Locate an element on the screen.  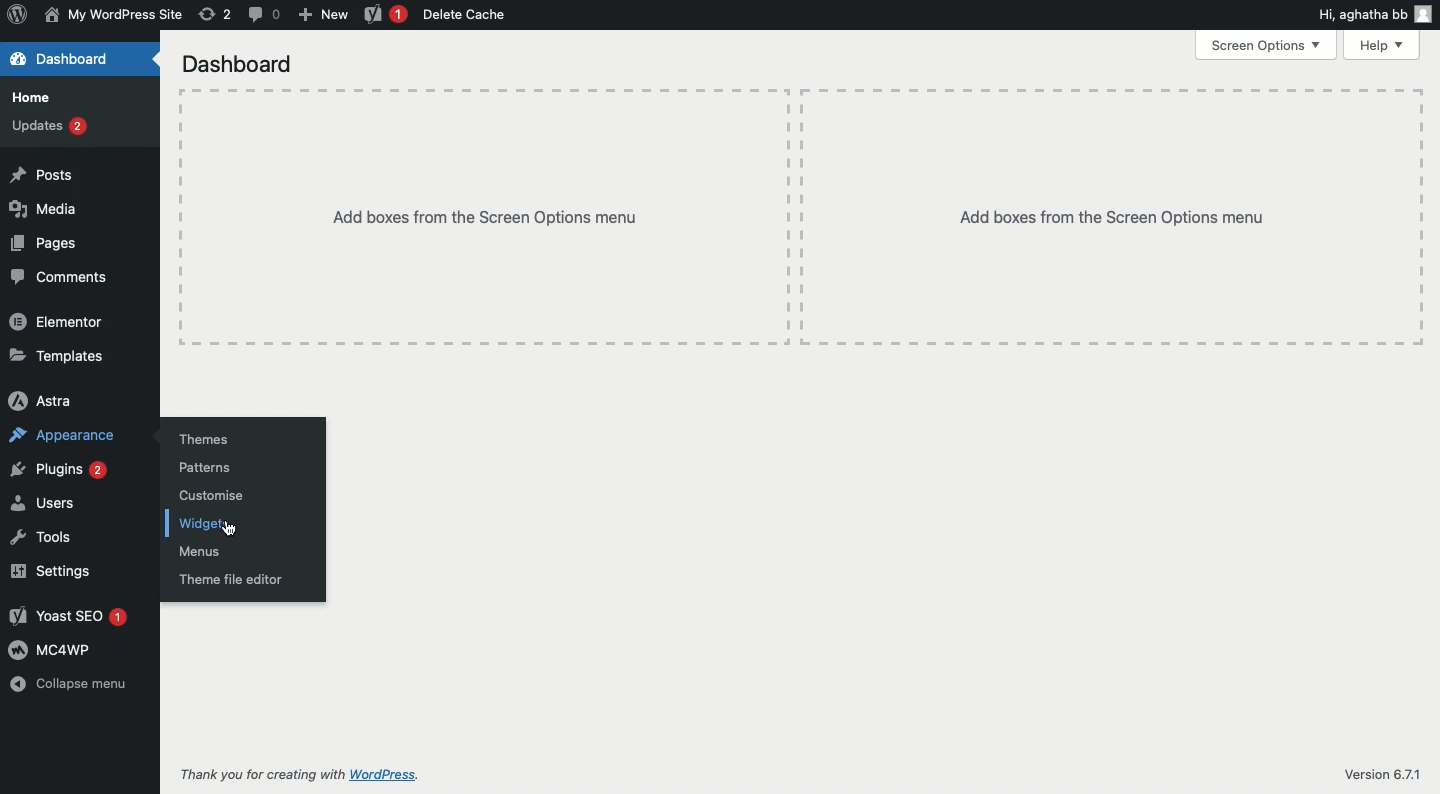
Home is located at coordinates (37, 100).